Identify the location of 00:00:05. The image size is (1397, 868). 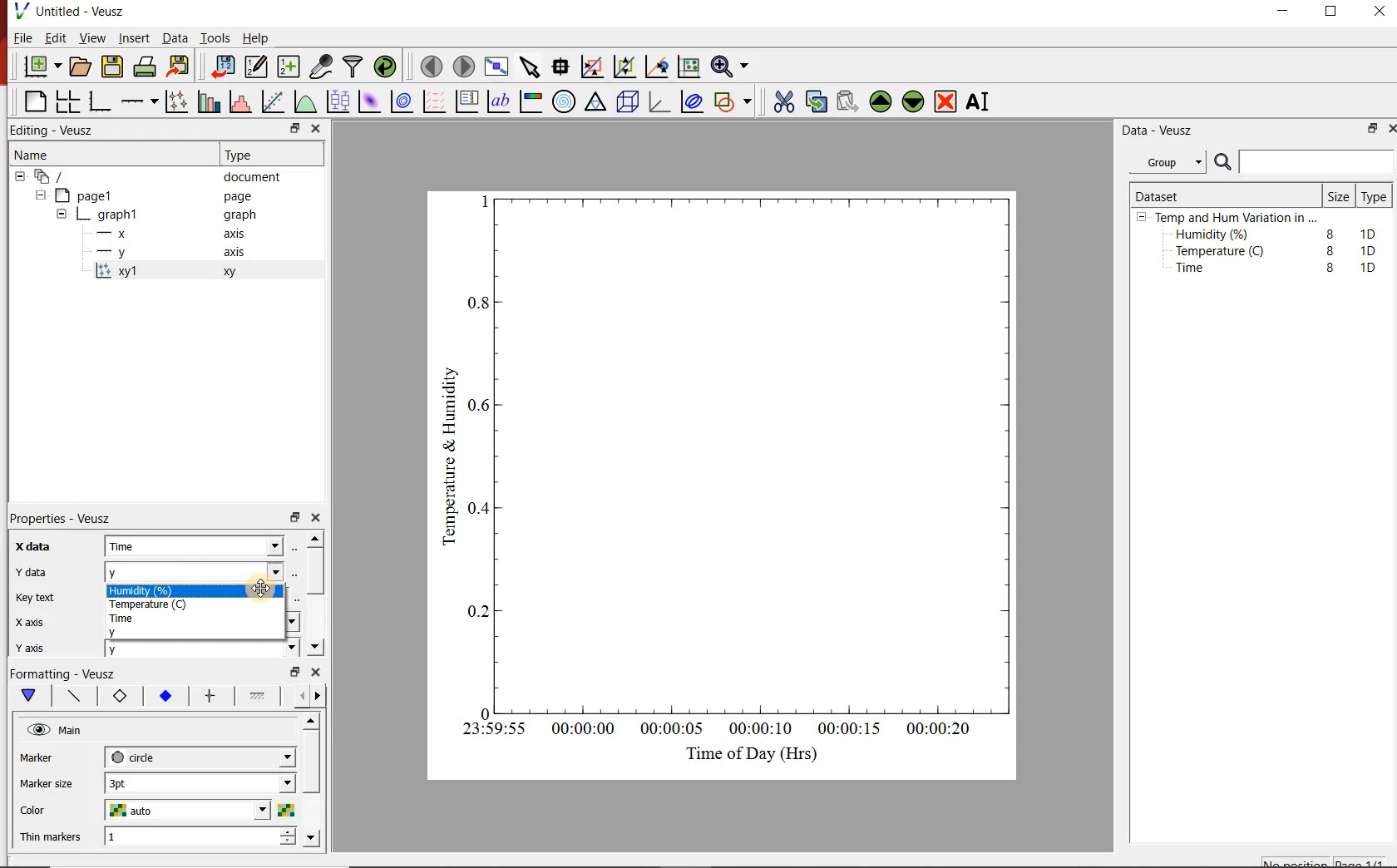
(667, 732).